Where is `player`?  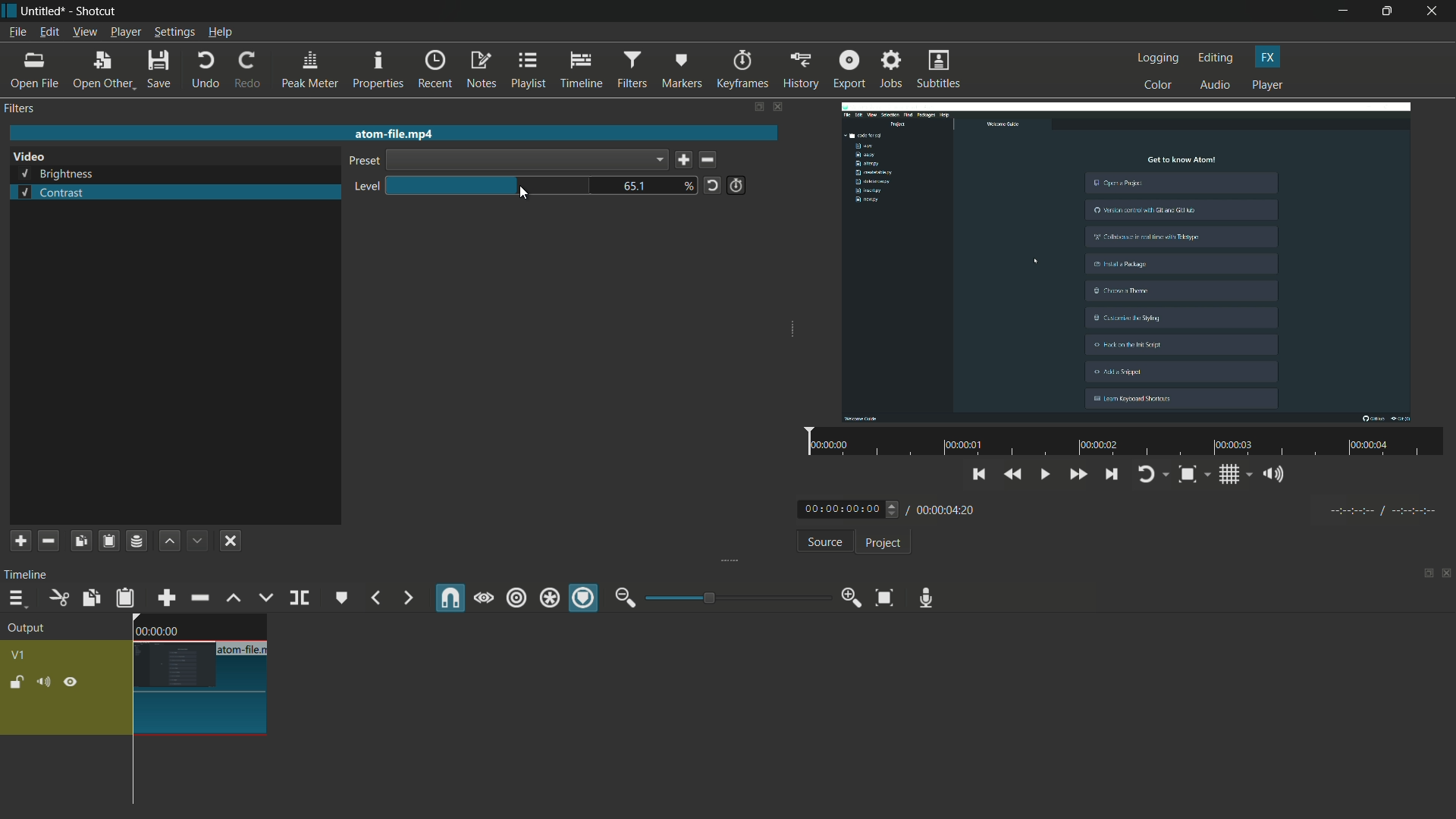 player is located at coordinates (1267, 86).